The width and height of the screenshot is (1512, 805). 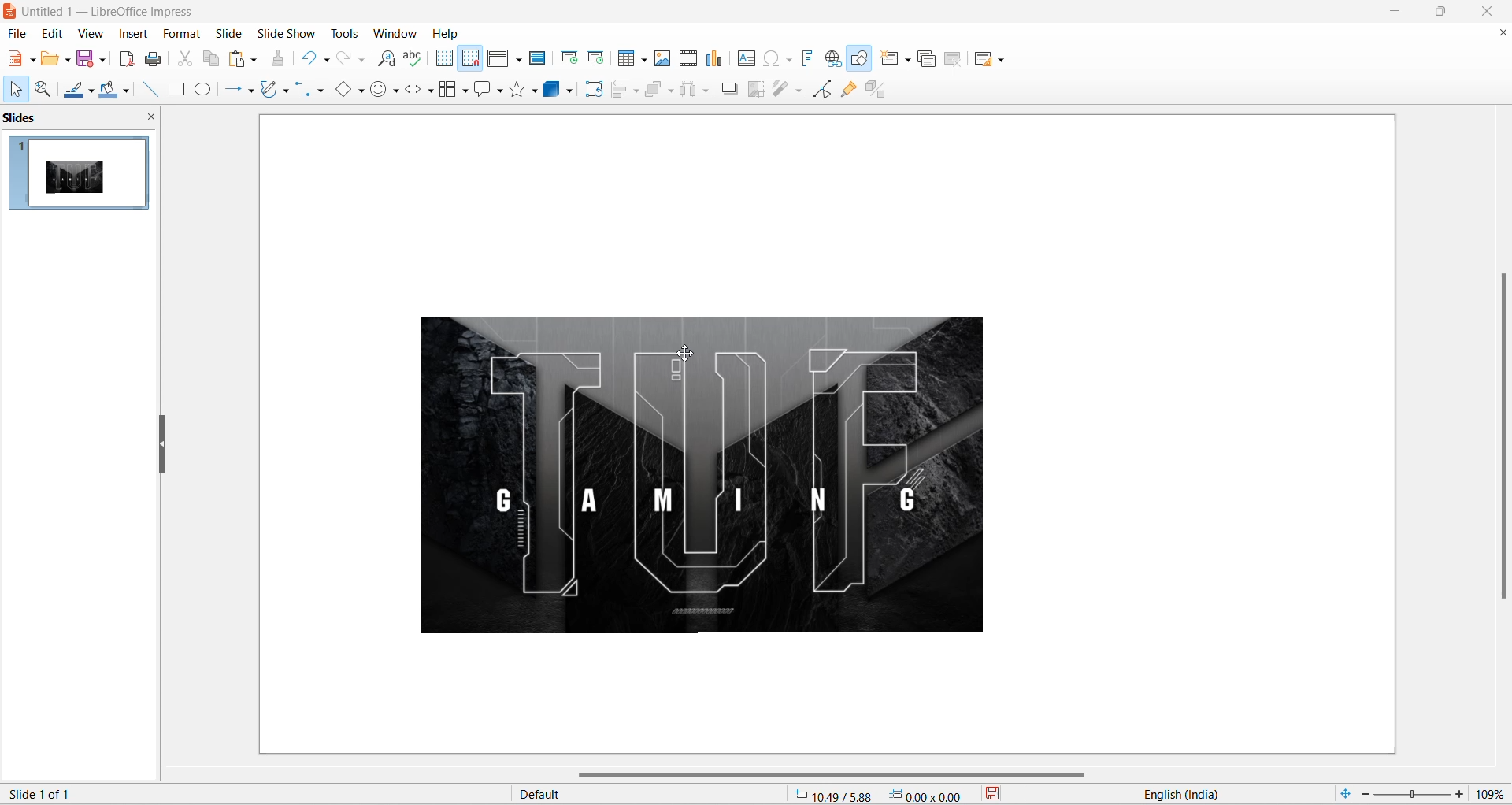 What do you see at coordinates (651, 795) in the screenshot?
I see `slide master type` at bounding box center [651, 795].